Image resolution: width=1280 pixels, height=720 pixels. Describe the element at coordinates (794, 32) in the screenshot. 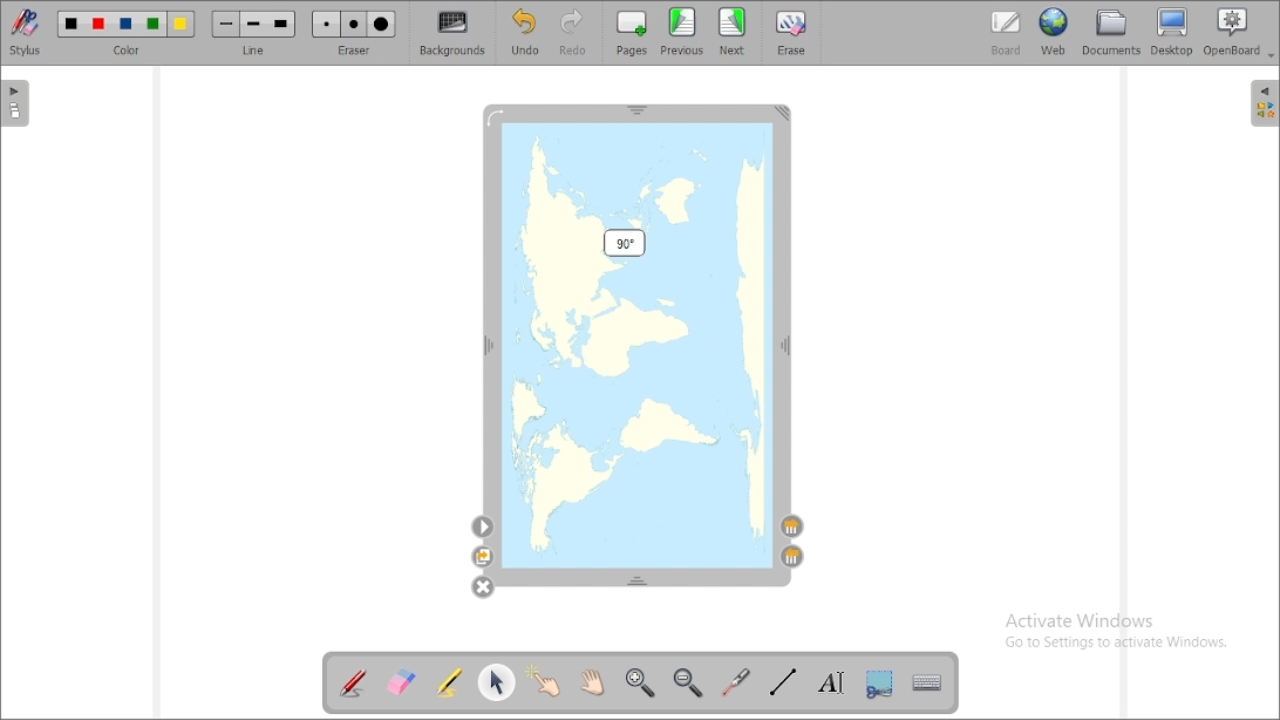

I see `erase` at that location.